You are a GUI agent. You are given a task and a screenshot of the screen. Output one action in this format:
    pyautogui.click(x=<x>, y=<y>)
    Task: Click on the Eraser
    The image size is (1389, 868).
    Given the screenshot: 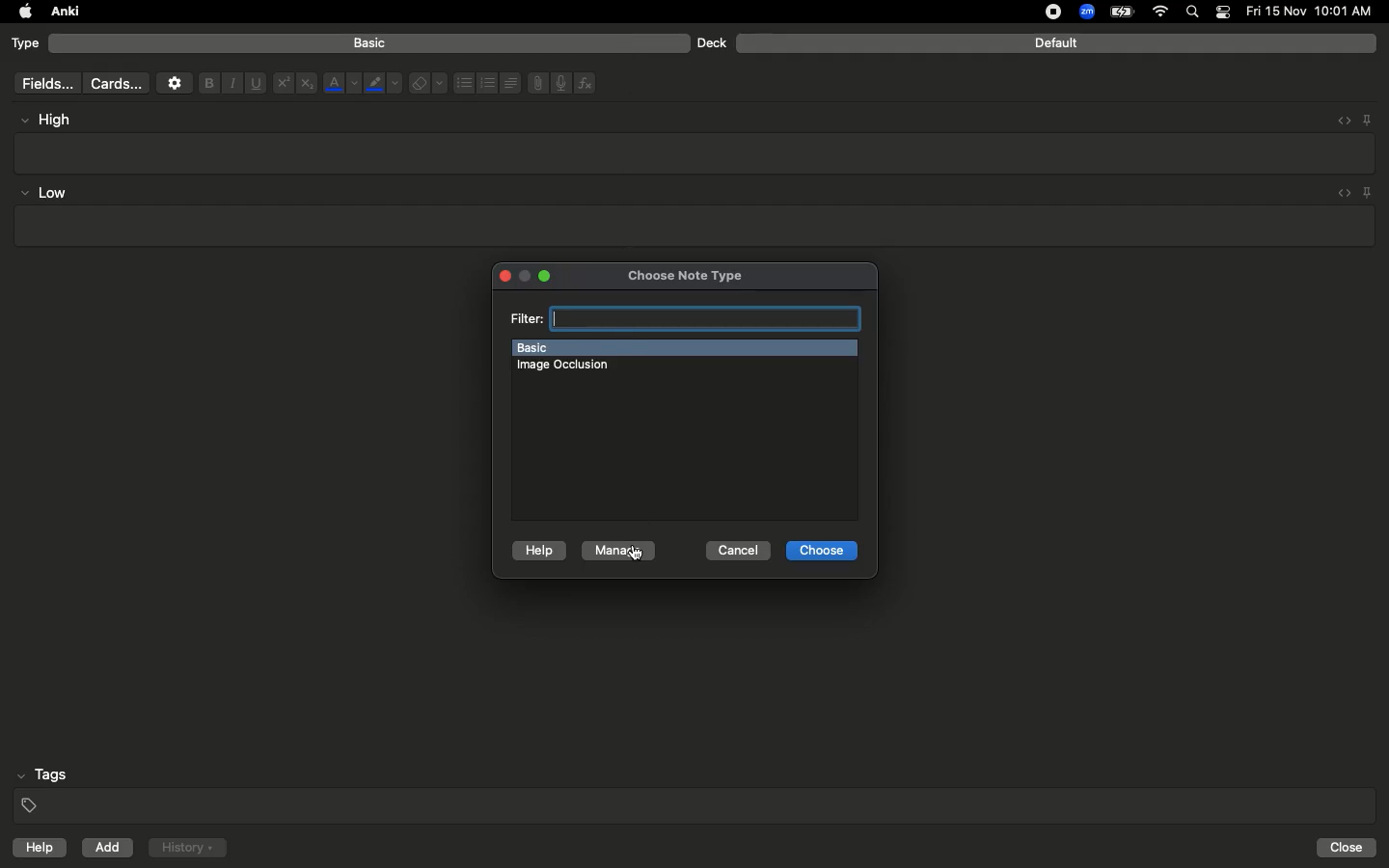 What is the action you would take?
    pyautogui.click(x=427, y=84)
    